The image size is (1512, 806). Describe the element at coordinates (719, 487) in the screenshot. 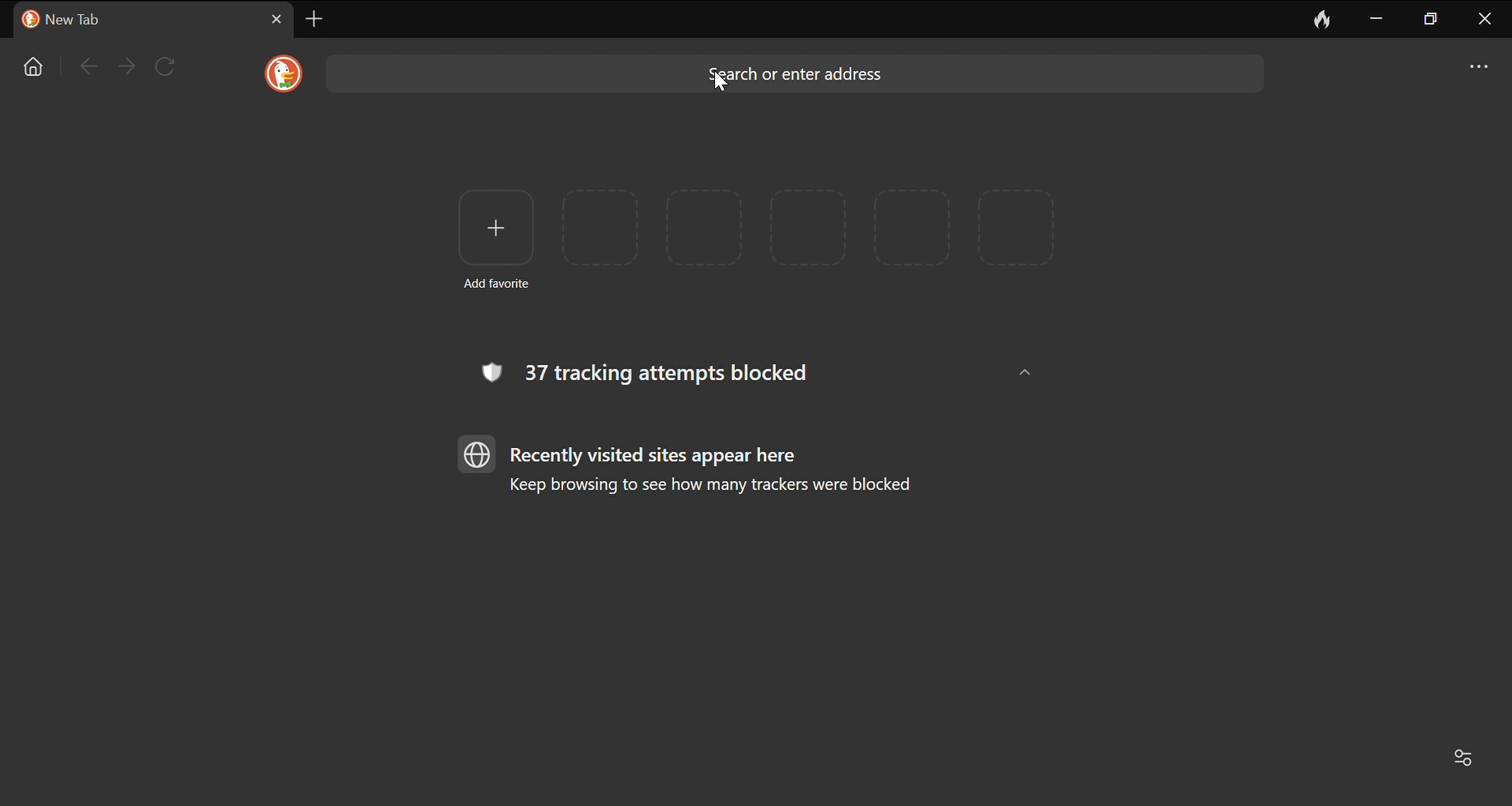

I see `Keep browsing to see how many trackers were blocked` at that location.